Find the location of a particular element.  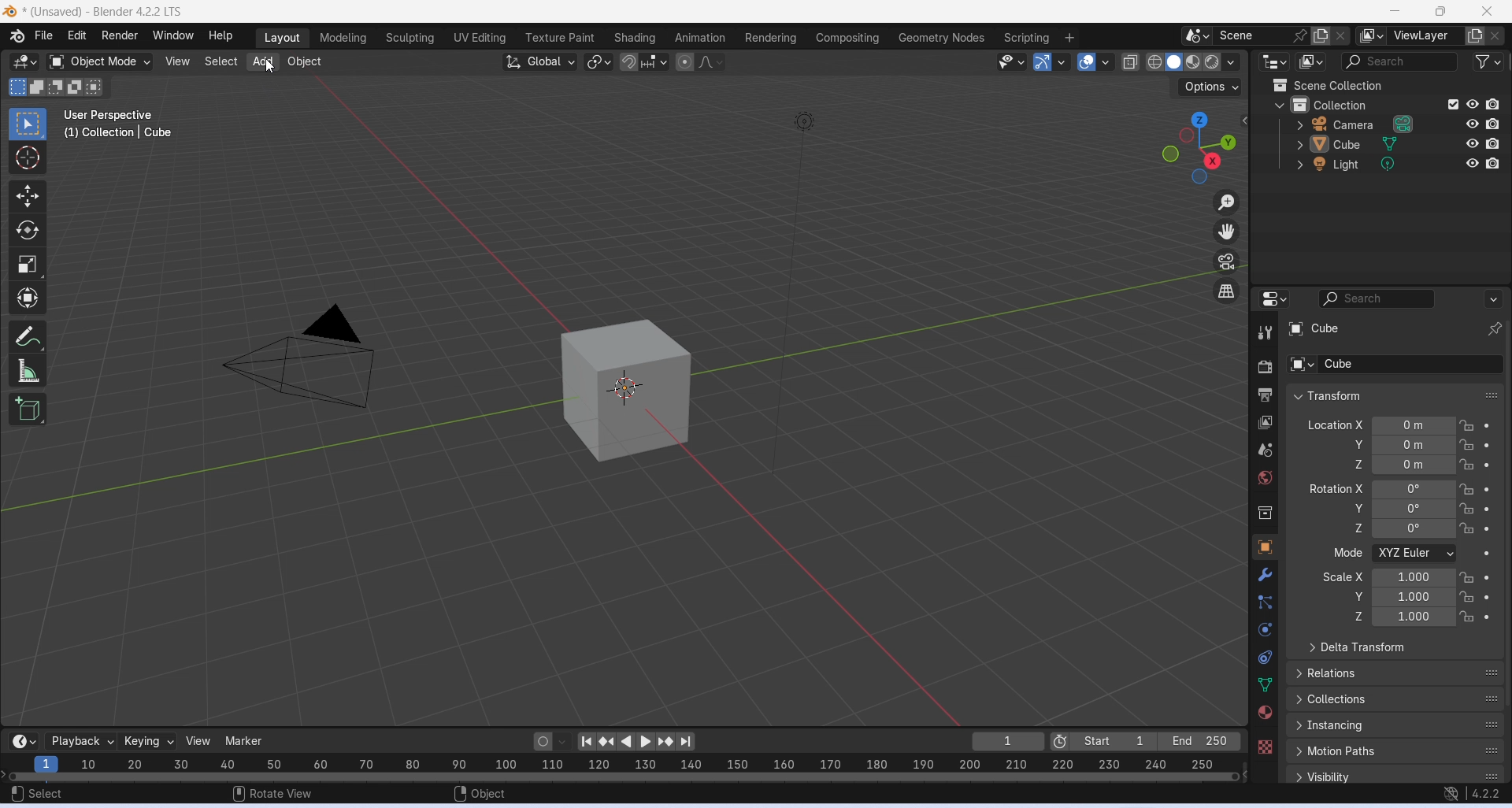

light layer is located at coordinates (1370, 165).